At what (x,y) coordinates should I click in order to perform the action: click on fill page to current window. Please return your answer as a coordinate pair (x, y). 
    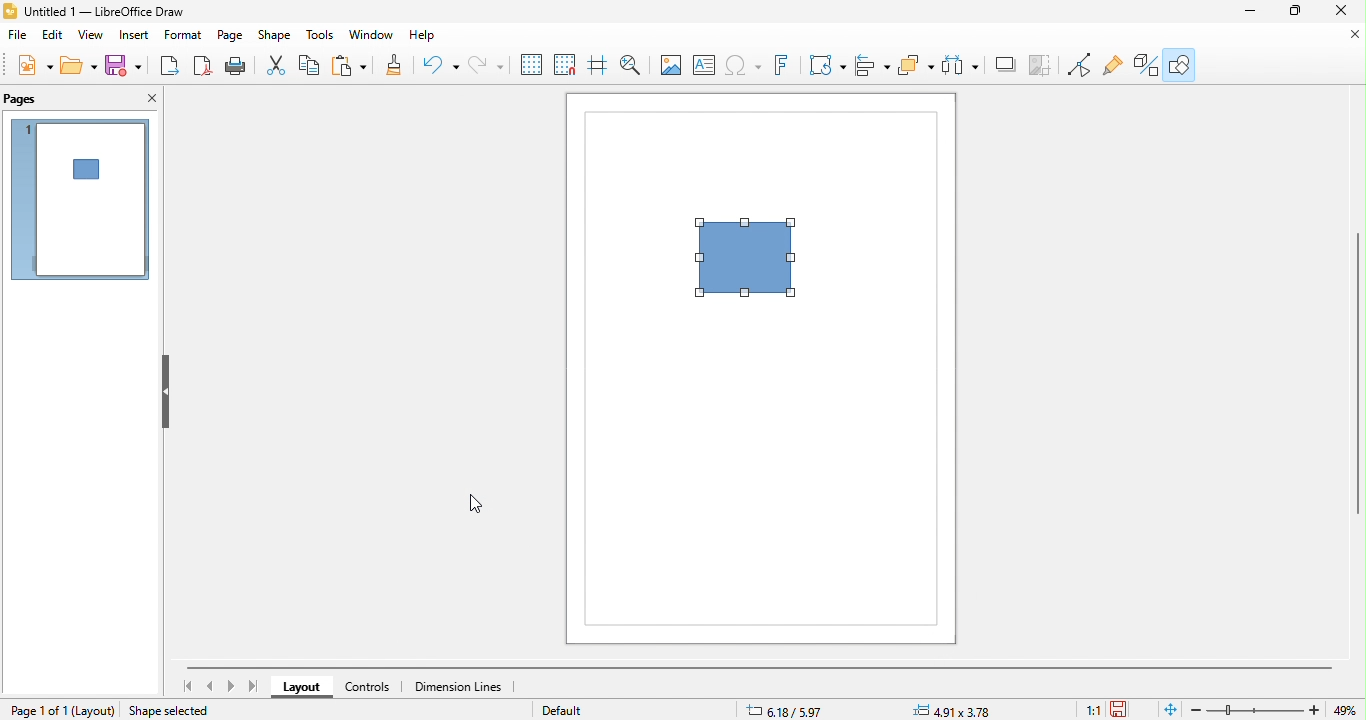
    Looking at the image, I should click on (1167, 709).